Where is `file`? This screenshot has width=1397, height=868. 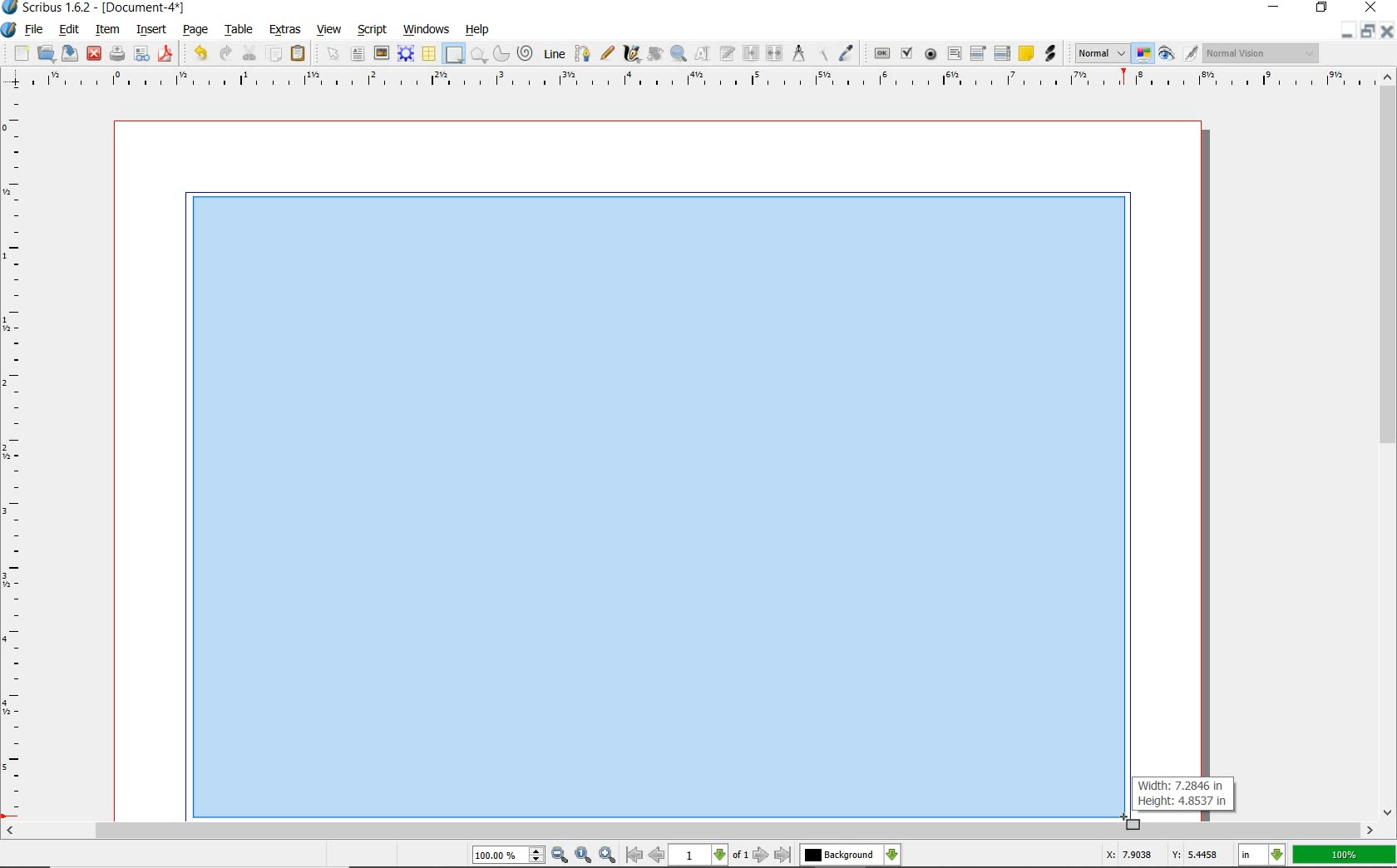 file is located at coordinates (36, 31).